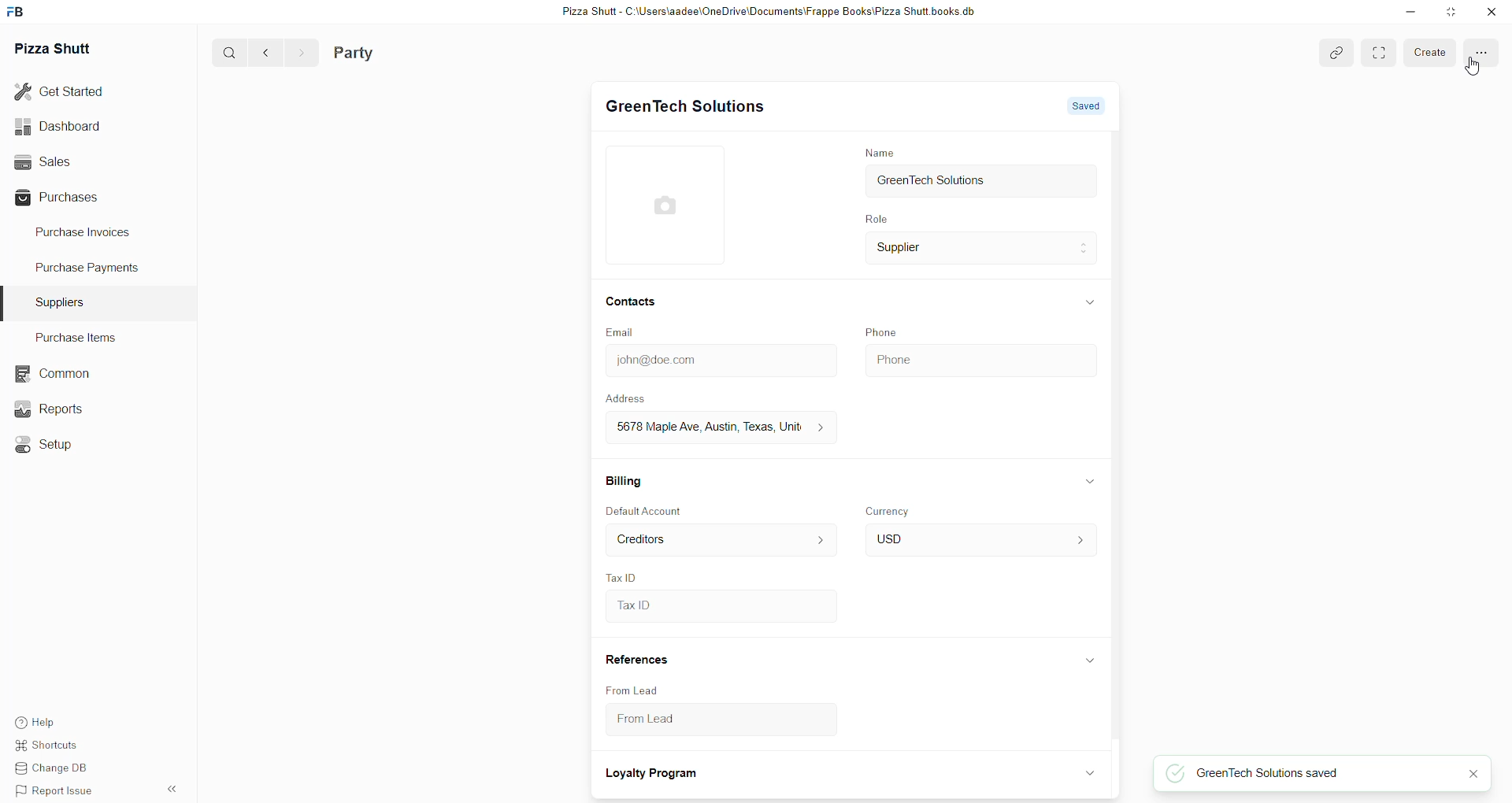  I want to click on Suppliers, so click(63, 301).